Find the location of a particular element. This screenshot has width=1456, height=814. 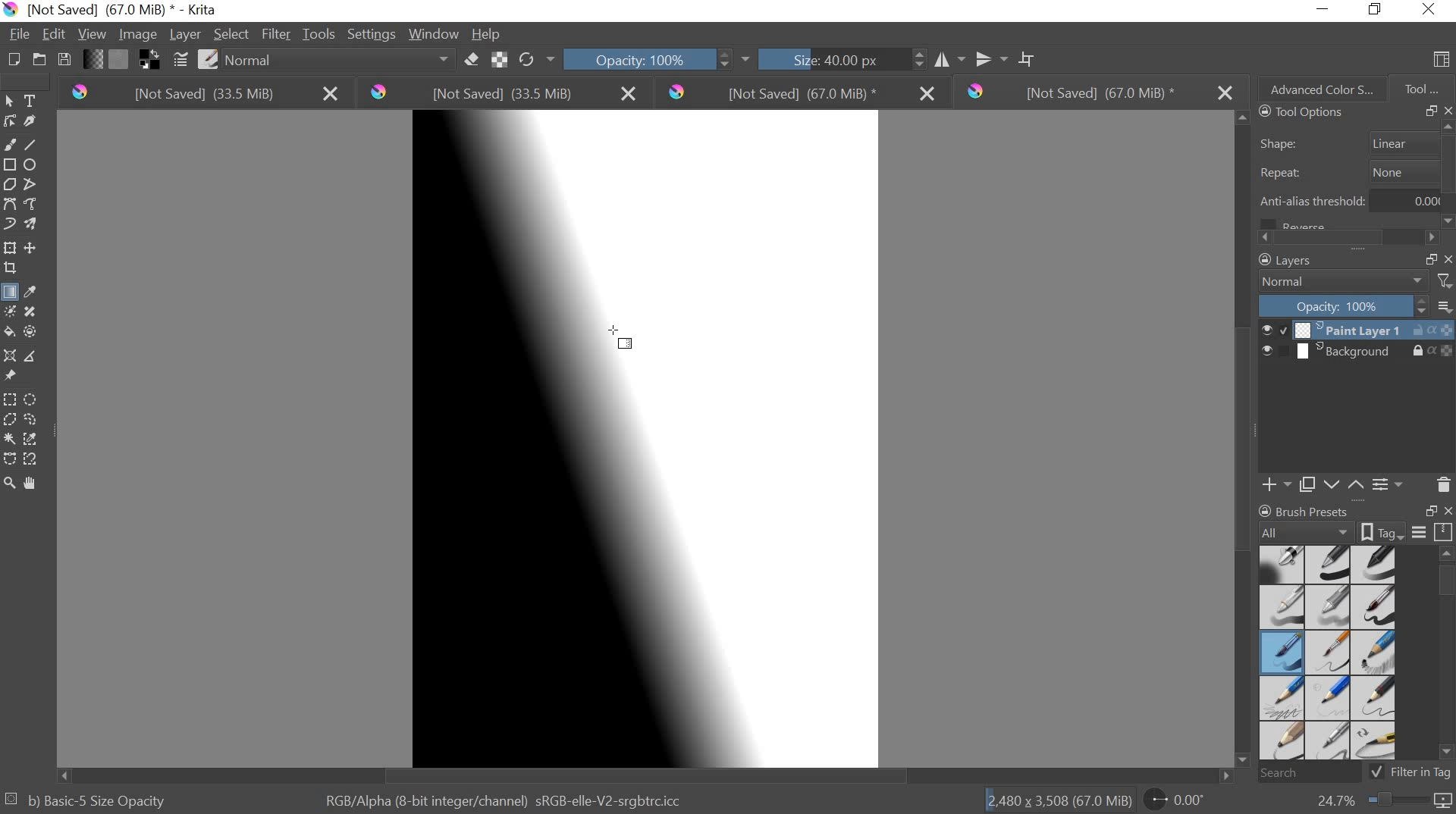

measurements is located at coordinates (35, 355).